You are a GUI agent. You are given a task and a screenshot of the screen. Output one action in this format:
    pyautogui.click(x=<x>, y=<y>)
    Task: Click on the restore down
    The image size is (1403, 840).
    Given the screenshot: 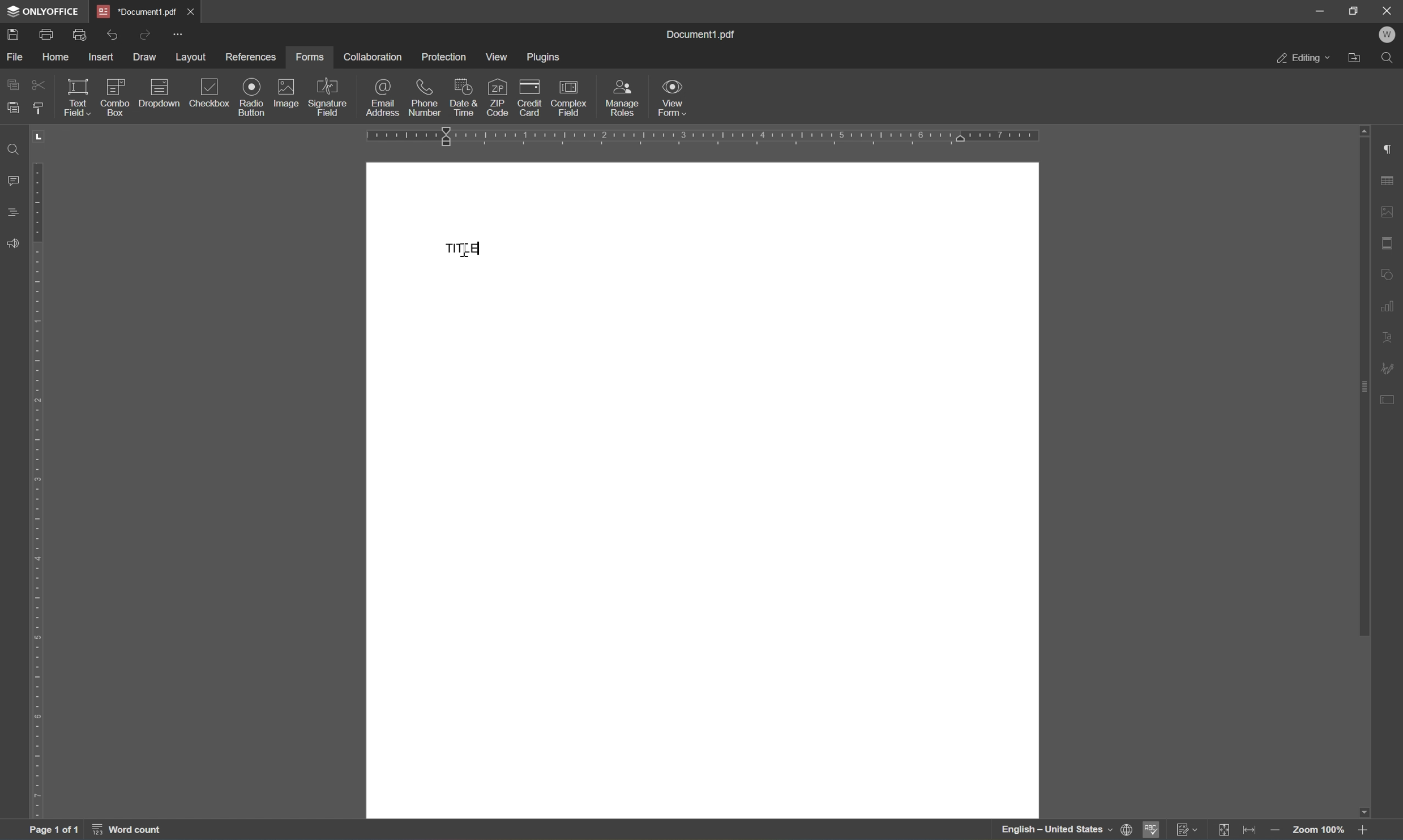 What is the action you would take?
    pyautogui.click(x=1355, y=11)
    